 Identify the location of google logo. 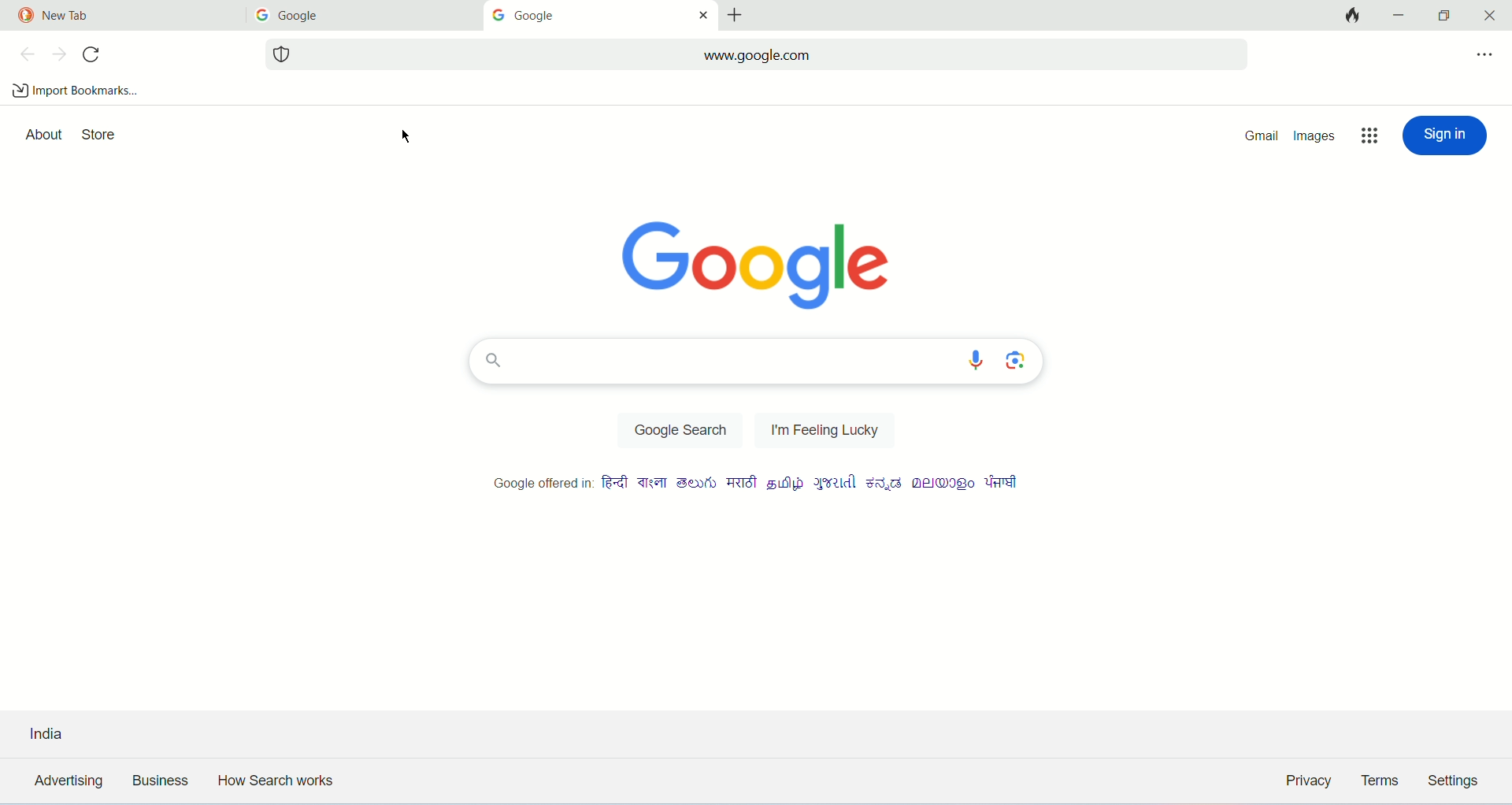
(257, 15).